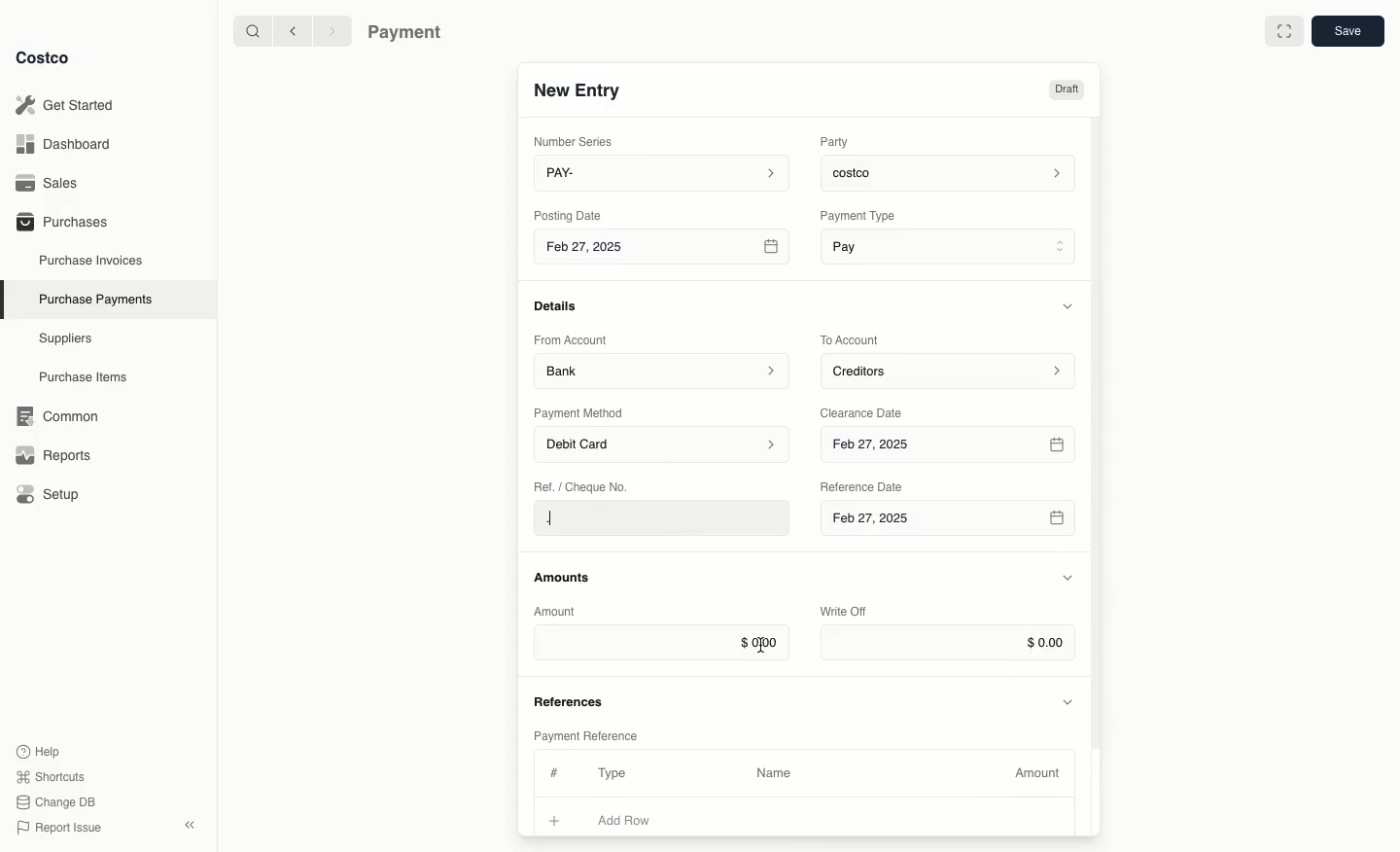 Image resolution: width=1400 pixels, height=852 pixels. Describe the element at coordinates (838, 141) in the screenshot. I see `Party` at that location.